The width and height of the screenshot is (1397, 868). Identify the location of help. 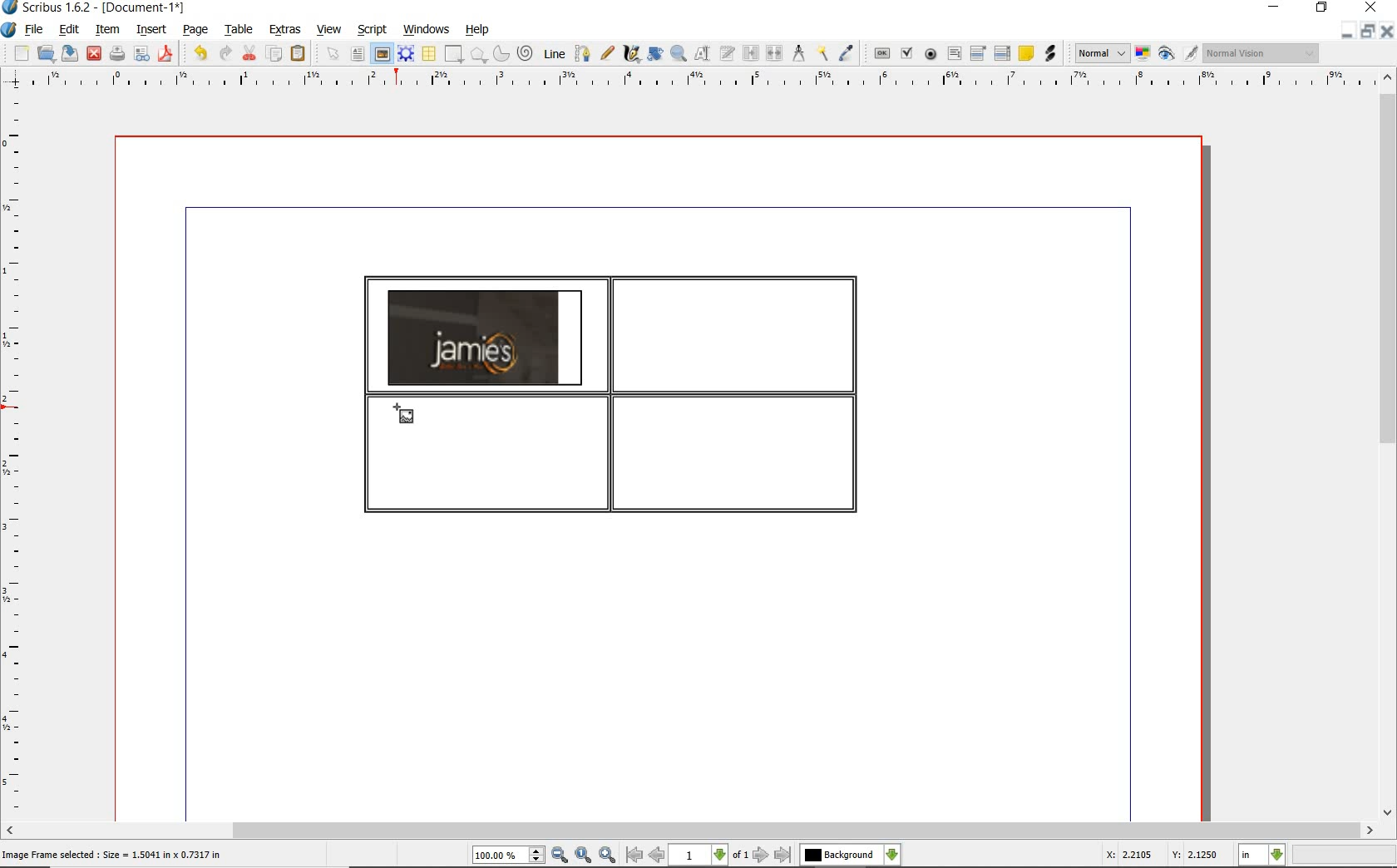
(477, 30).